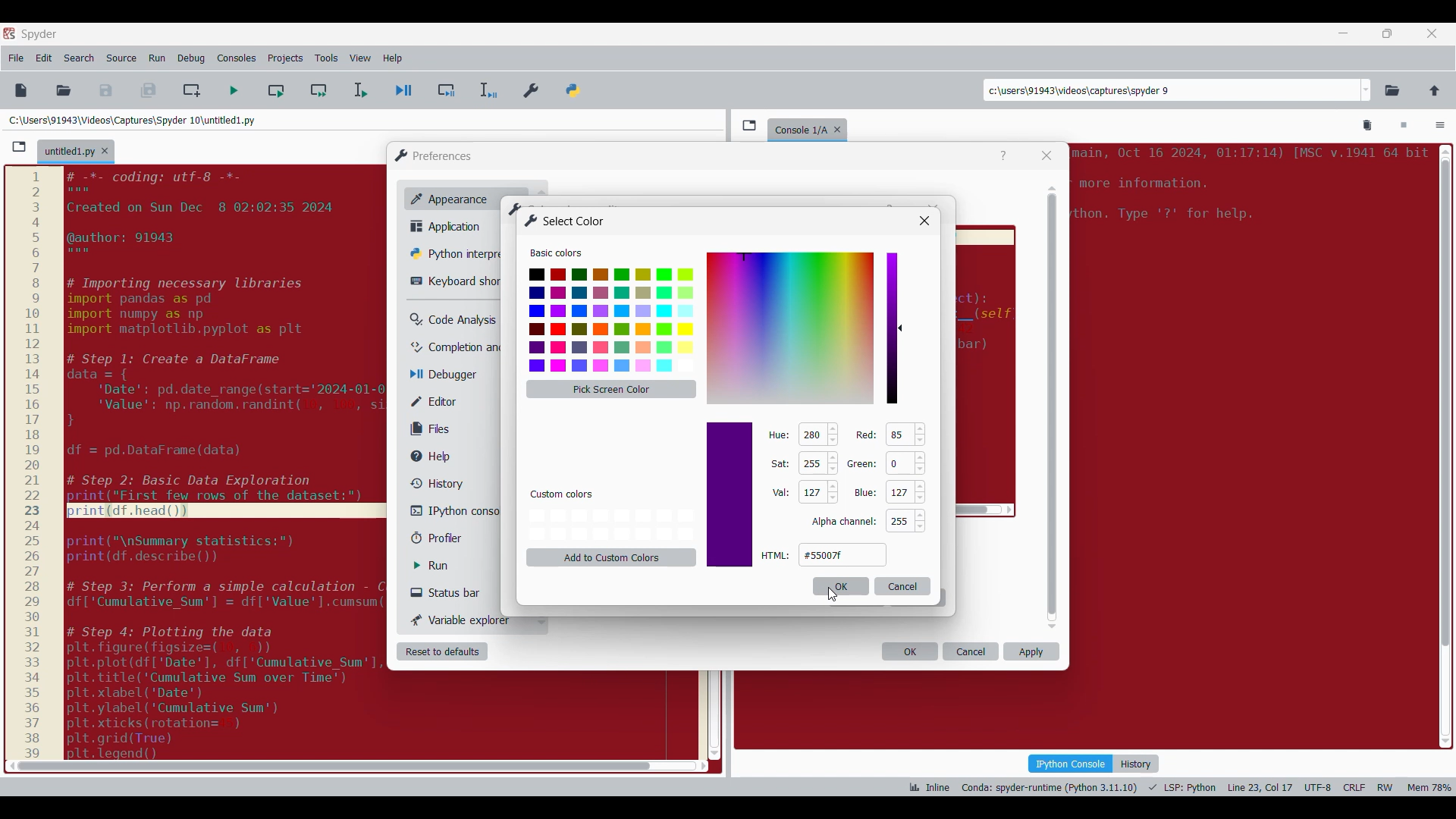 The height and width of the screenshot is (819, 1456). I want to click on Indicates basic color options, so click(556, 253).